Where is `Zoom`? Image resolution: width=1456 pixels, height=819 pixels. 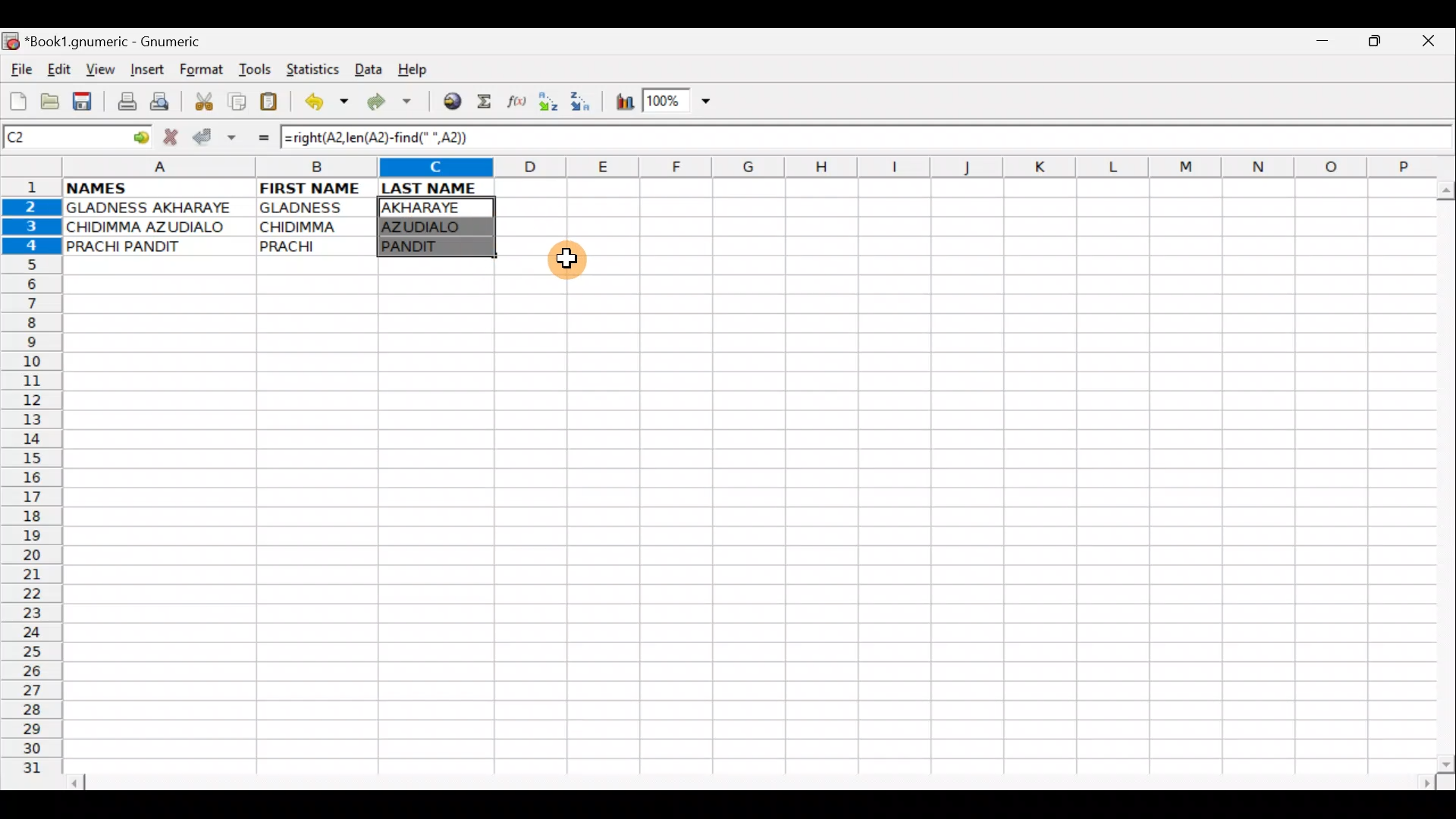
Zoom is located at coordinates (679, 103).